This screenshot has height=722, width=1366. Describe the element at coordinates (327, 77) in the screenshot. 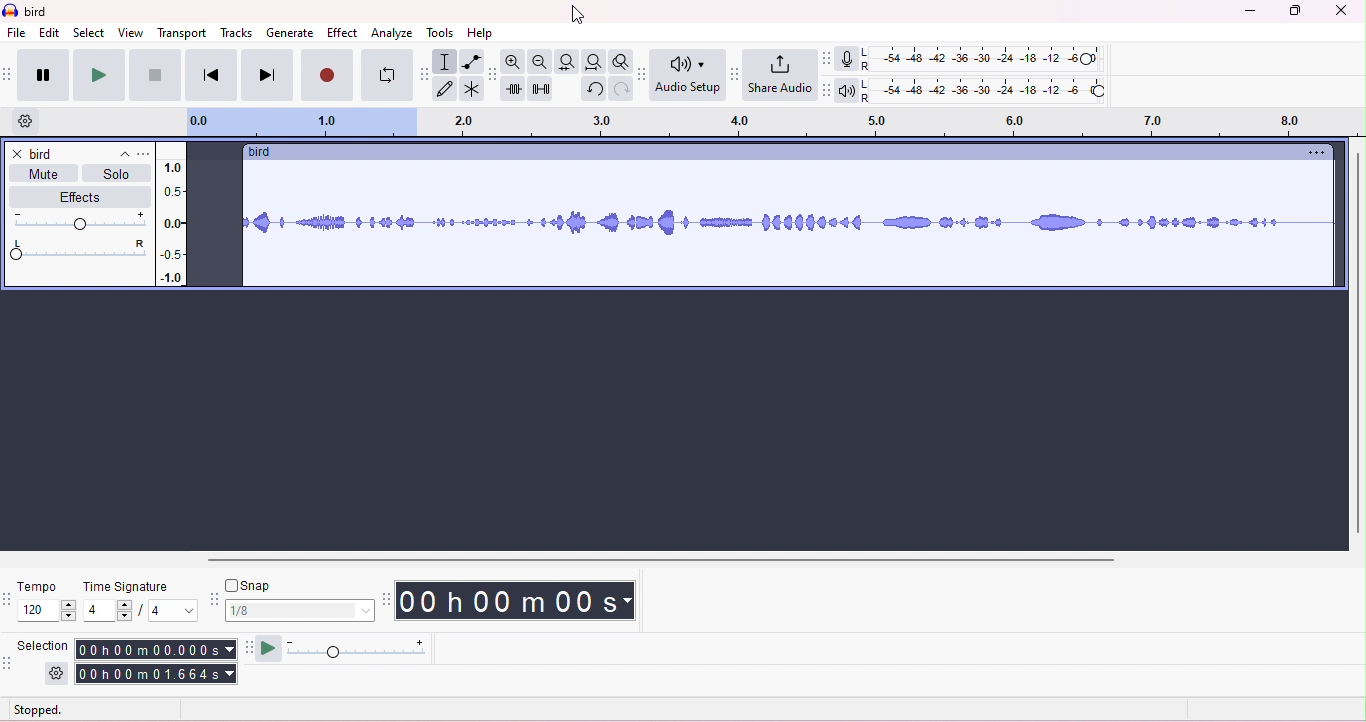

I see `record` at that location.